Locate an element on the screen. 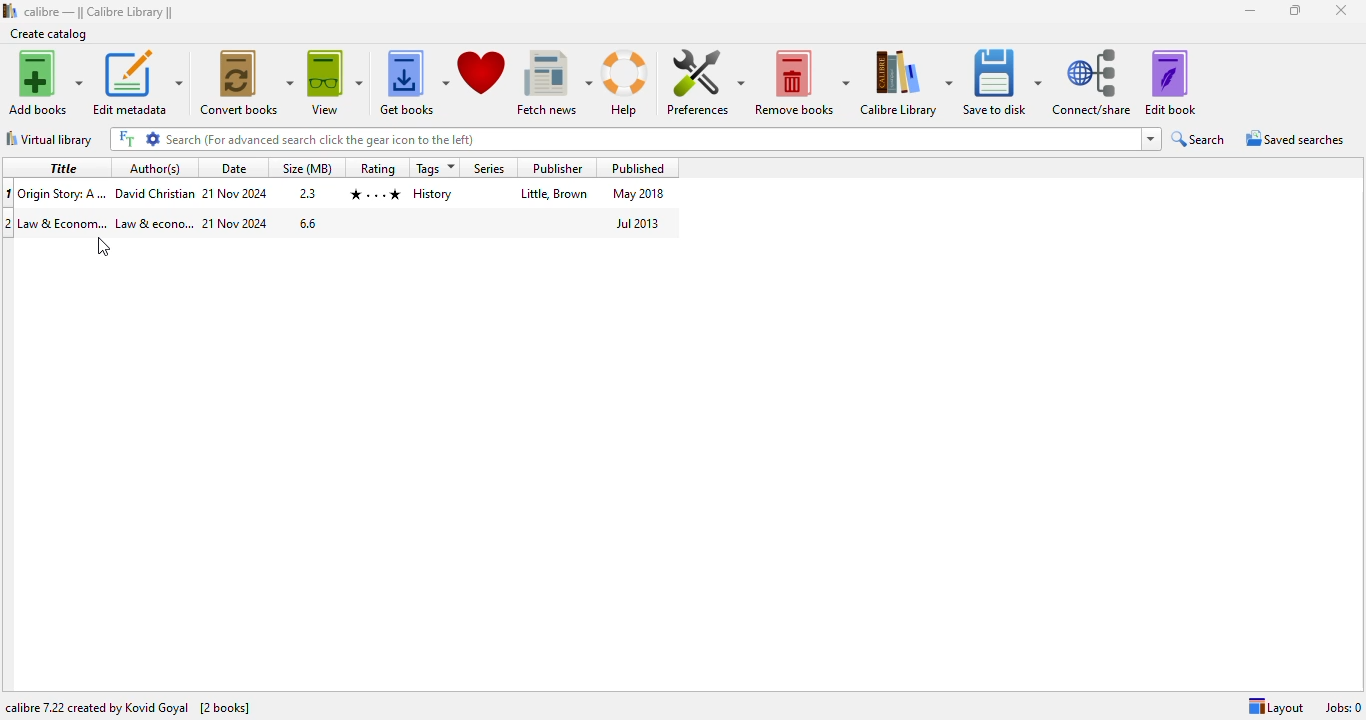  author(s) is located at coordinates (156, 168).